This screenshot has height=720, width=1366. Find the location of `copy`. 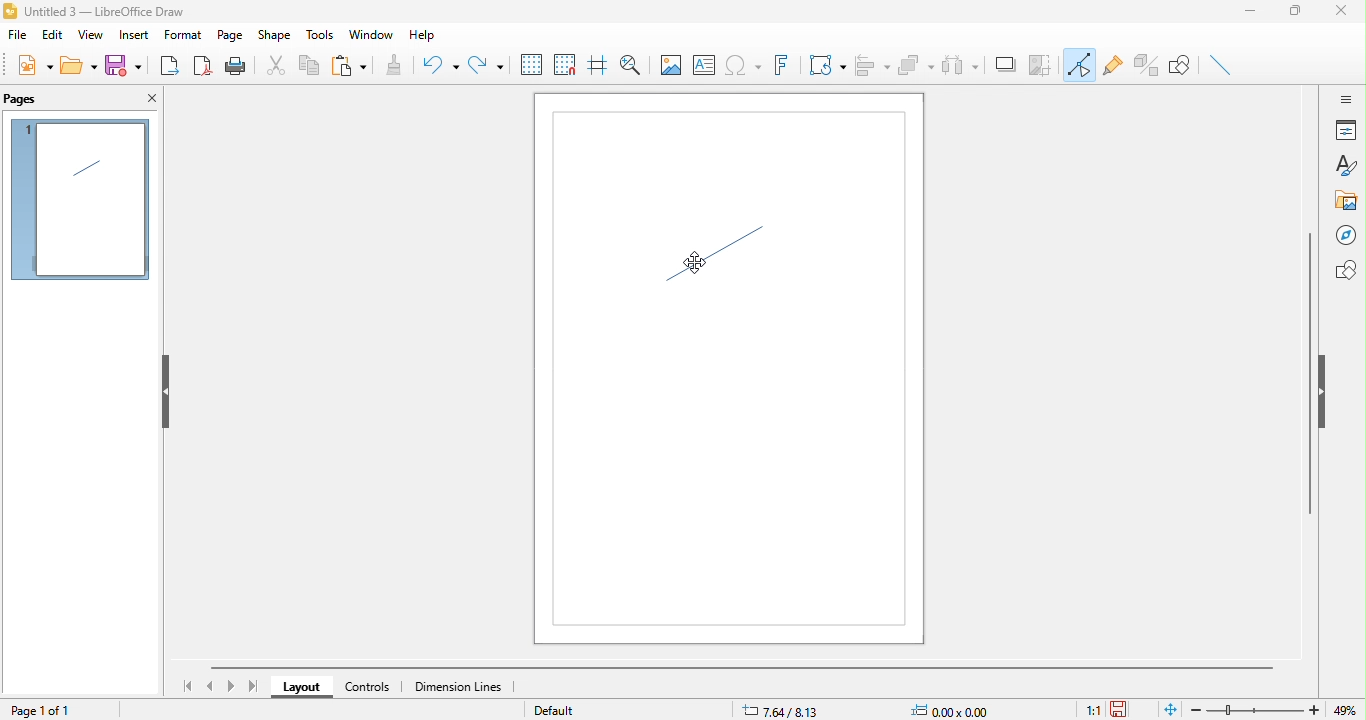

copy is located at coordinates (314, 64).